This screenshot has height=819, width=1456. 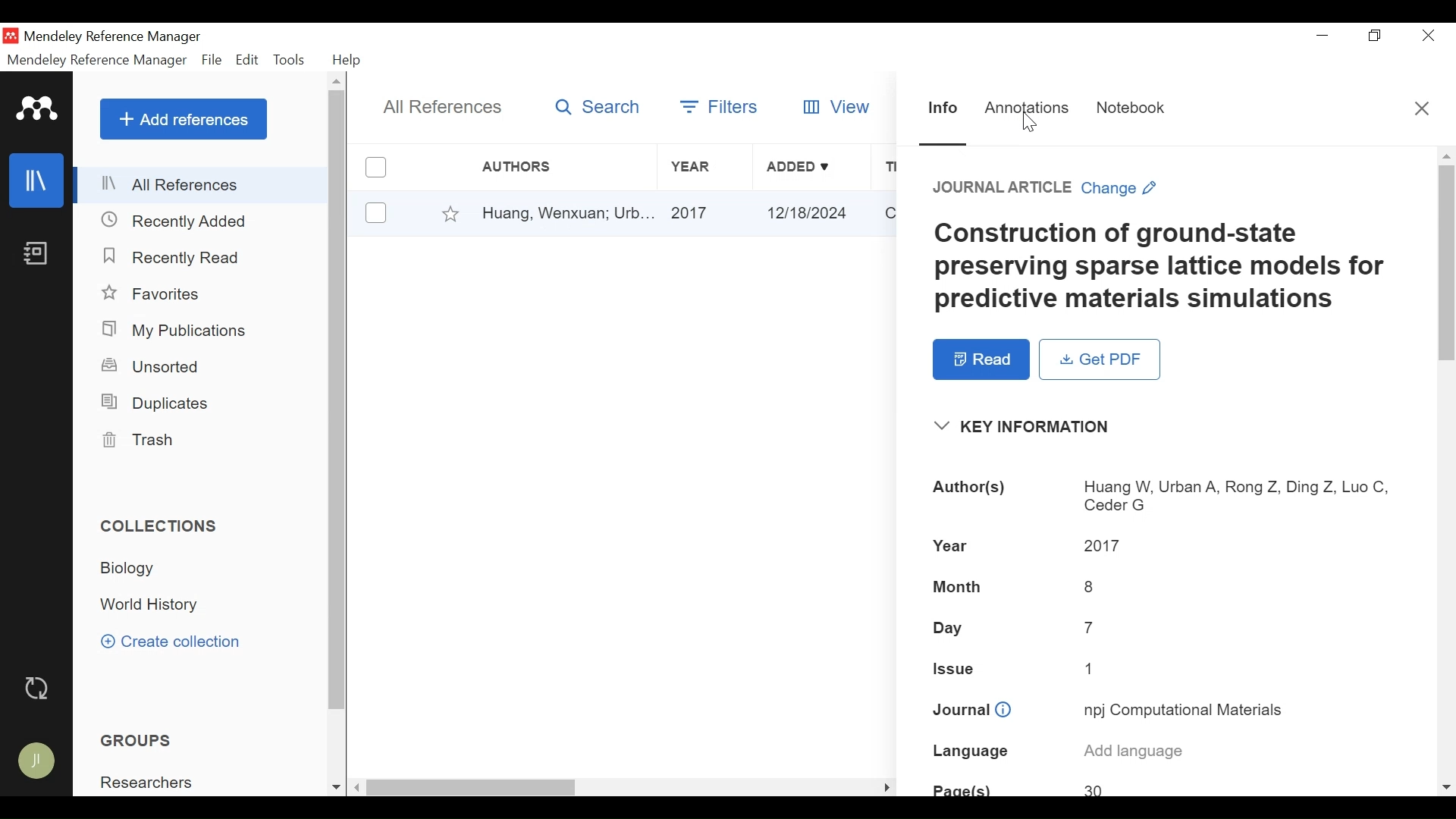 What do you see at coordinates (1122, 188) in the screenshot?
I see `change` at bounding box center [1122, 188].